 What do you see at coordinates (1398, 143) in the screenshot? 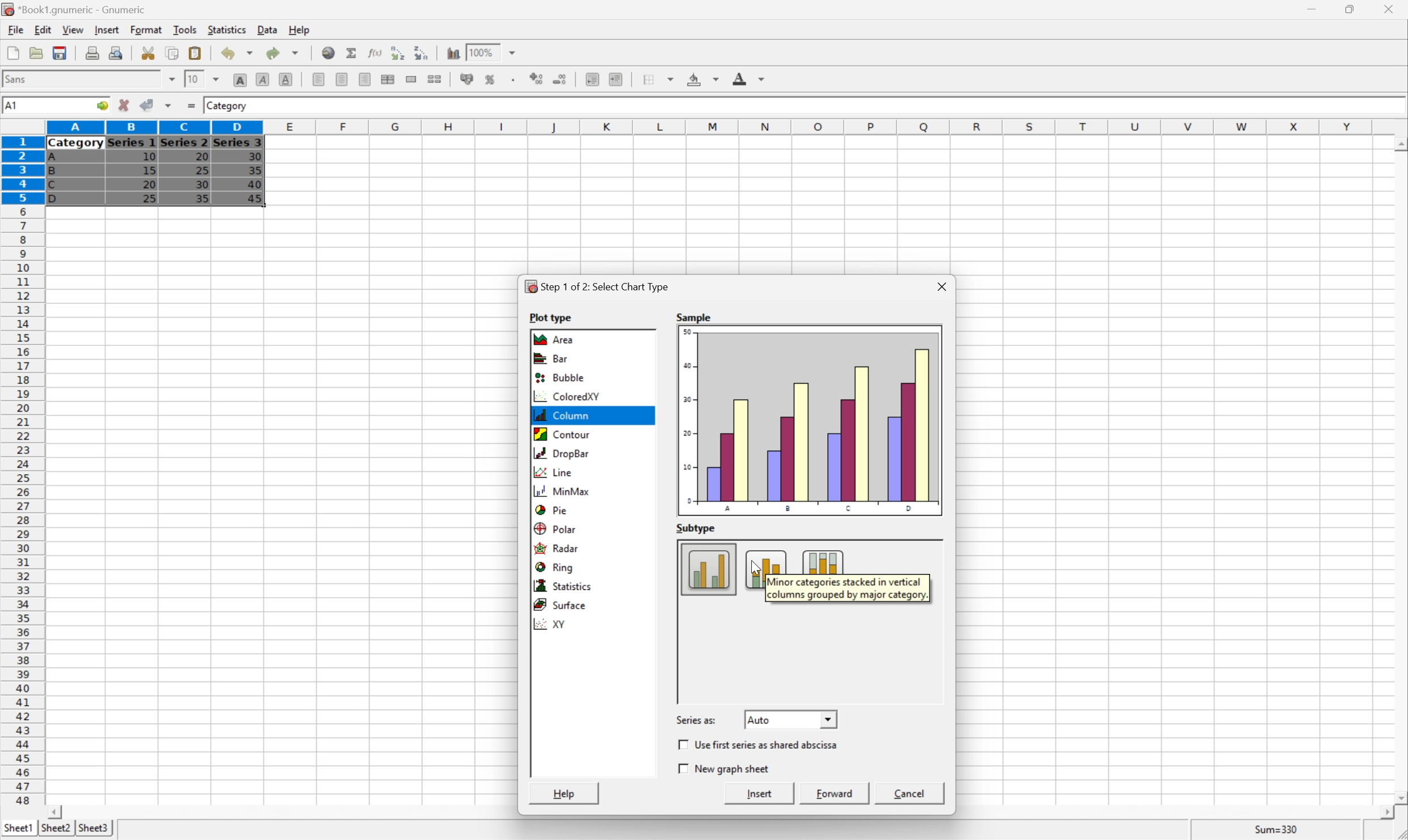
I see `Scroll Up` at bounding box center [1398, 143].